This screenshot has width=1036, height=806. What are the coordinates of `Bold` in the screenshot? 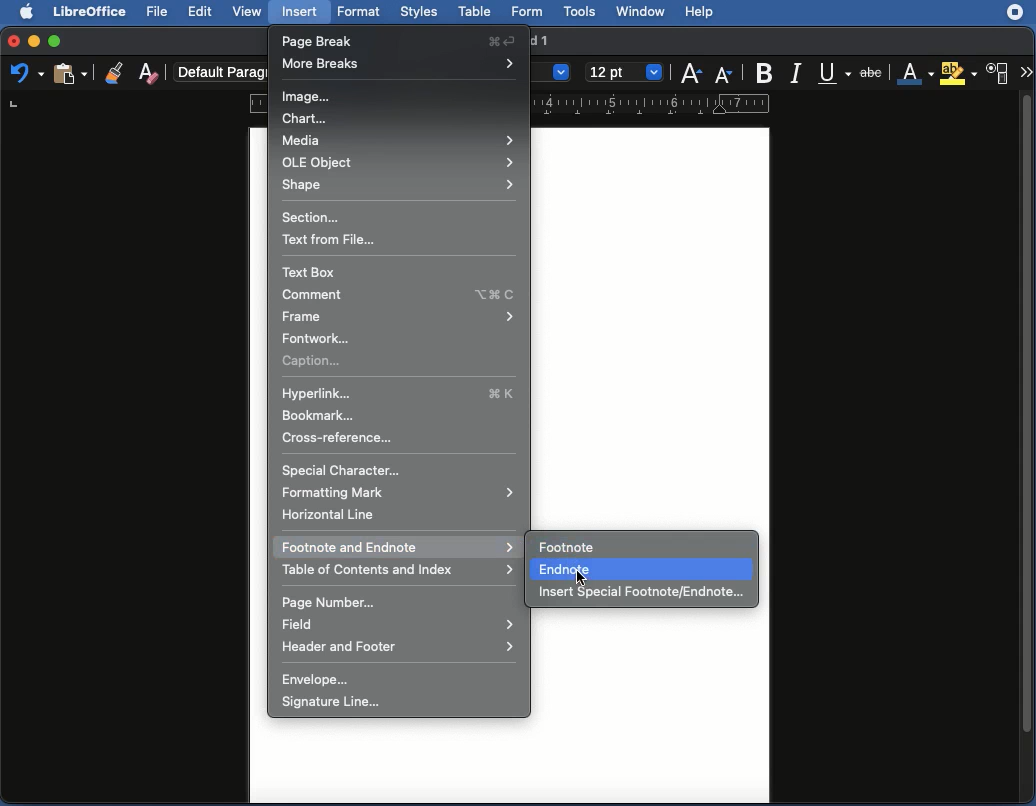 It's located at (766, 72).